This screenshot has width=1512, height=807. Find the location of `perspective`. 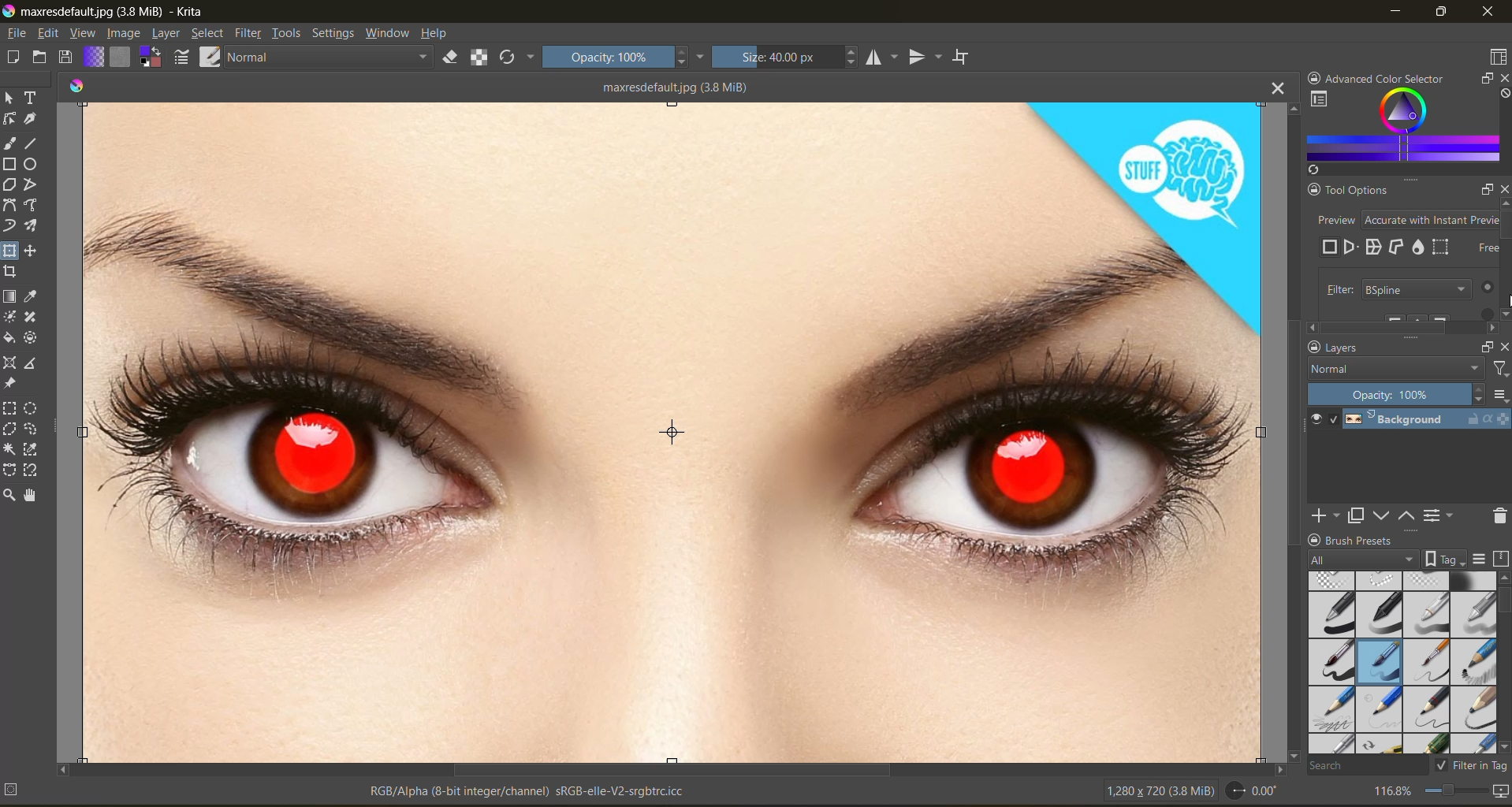

perspective is located at coordinates (1352, 247).